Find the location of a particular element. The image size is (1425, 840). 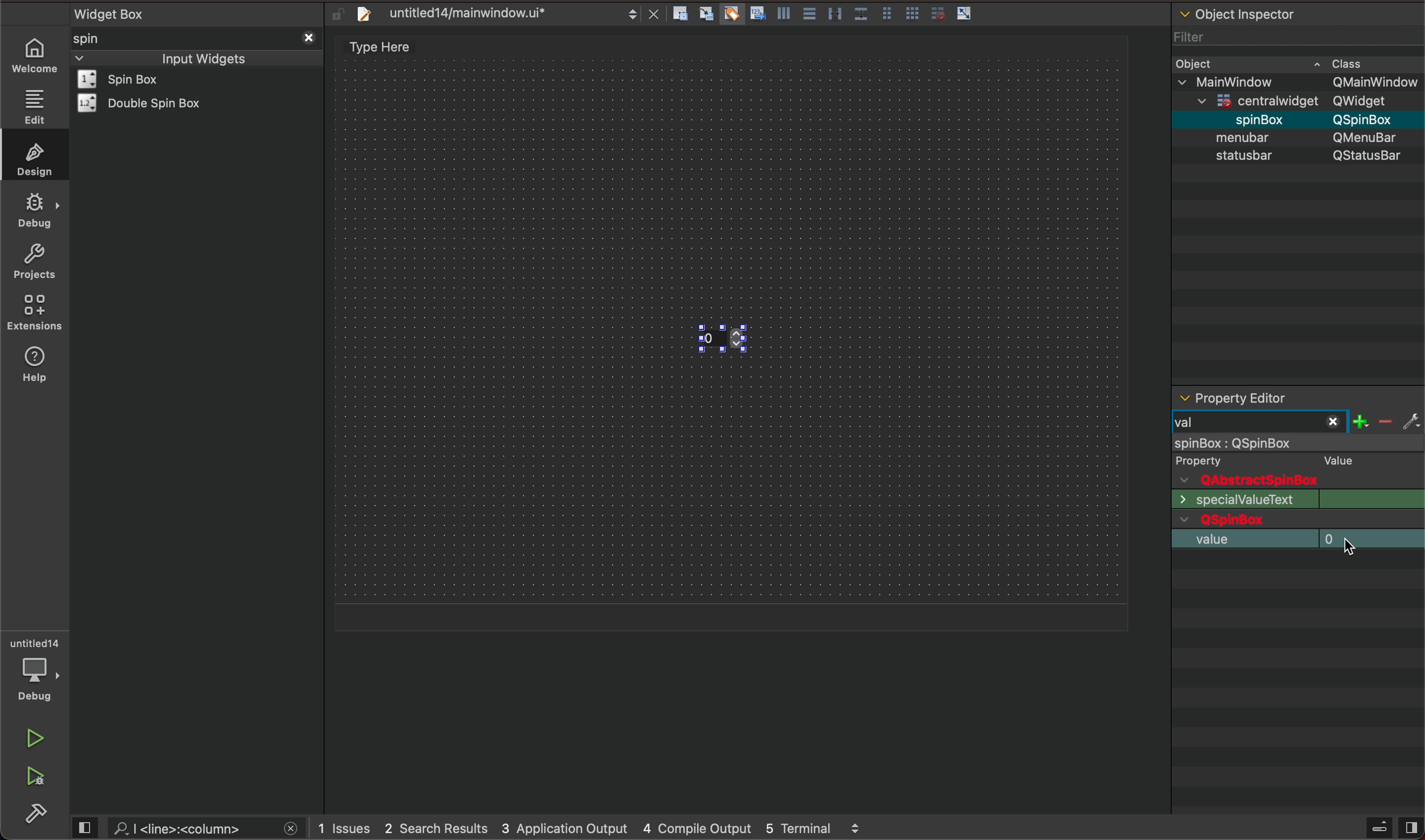

file tab is located at coordinates (495, 13).